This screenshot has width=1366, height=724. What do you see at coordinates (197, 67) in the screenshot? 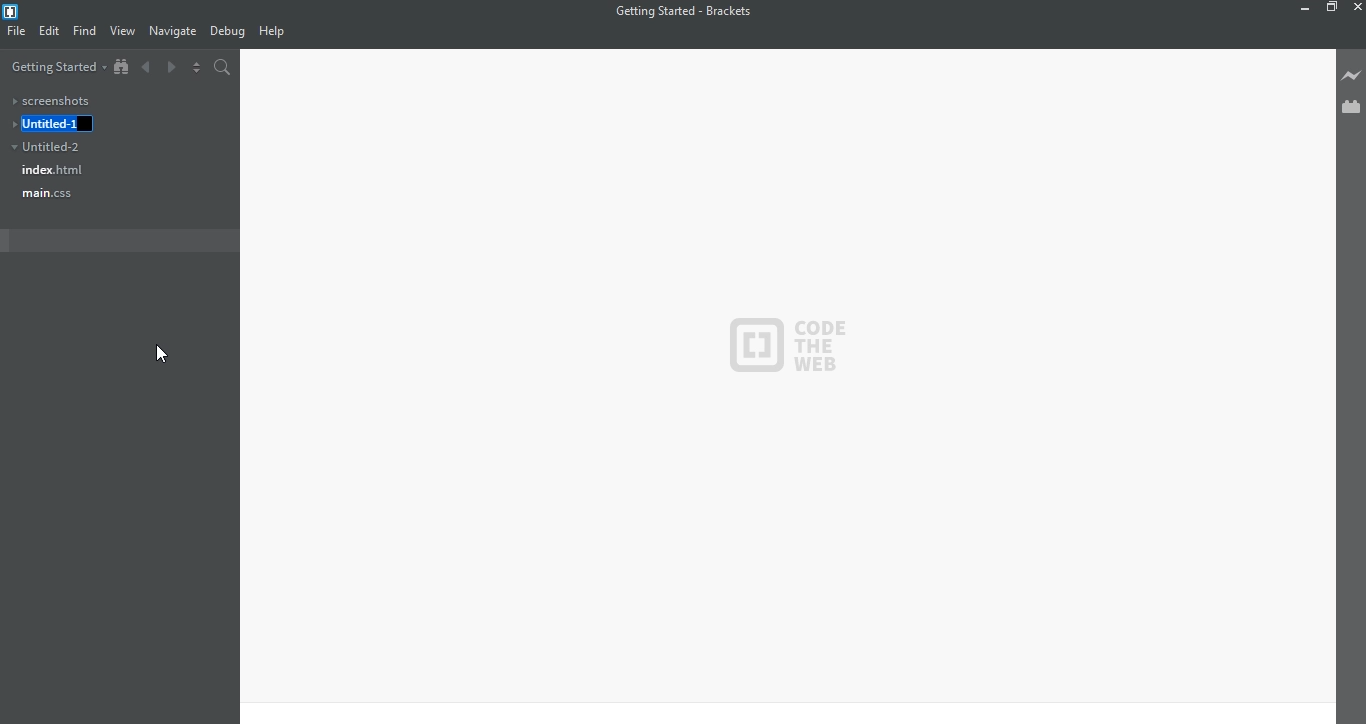
I see `toggle` at bounding box center [197, 67].